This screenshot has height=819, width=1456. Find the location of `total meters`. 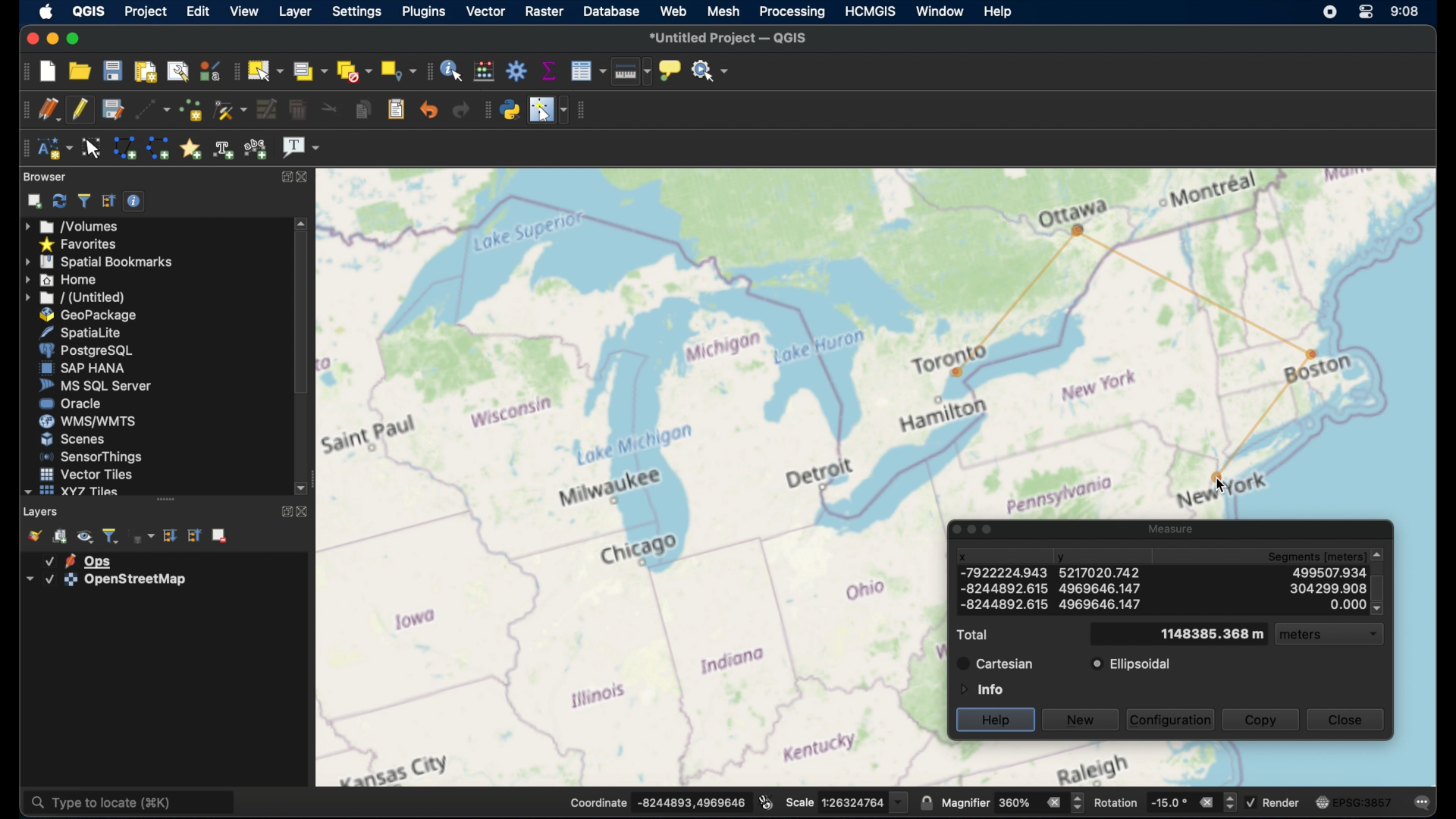

total meters is located at coordinates (1212, 635).